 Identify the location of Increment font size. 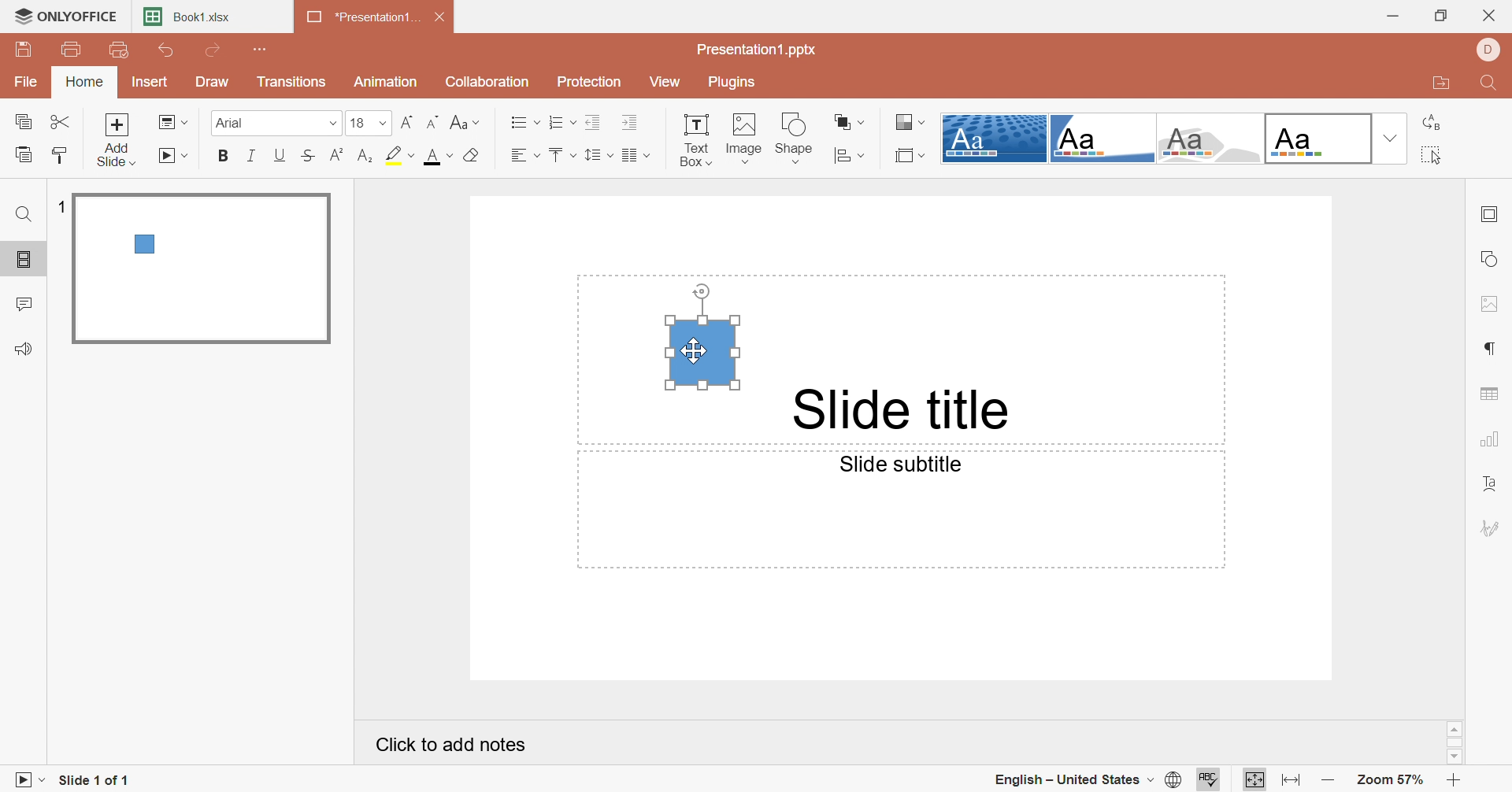
(409, 121).